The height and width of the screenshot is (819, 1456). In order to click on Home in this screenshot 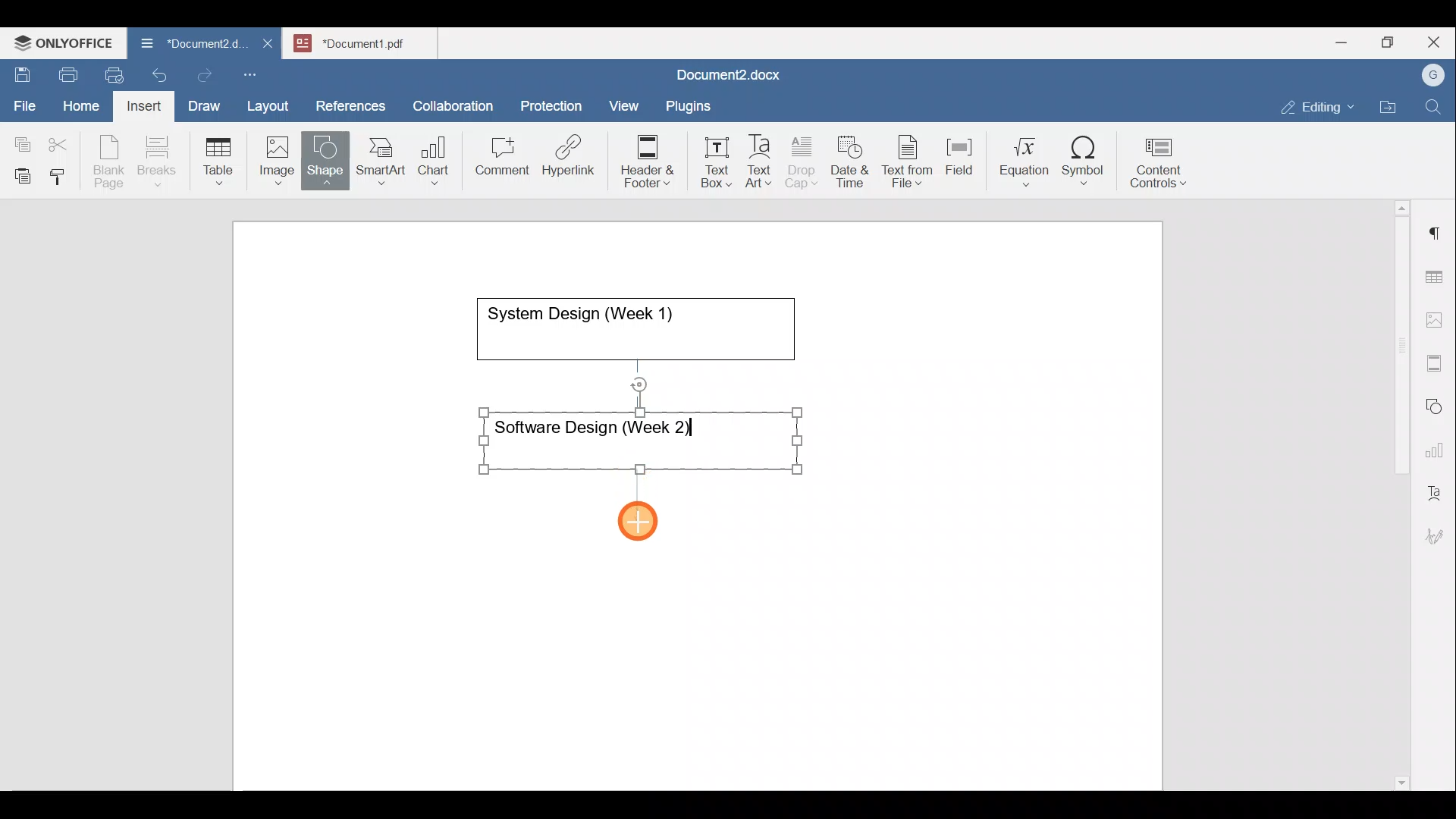, I will do `click(82, 105)`.